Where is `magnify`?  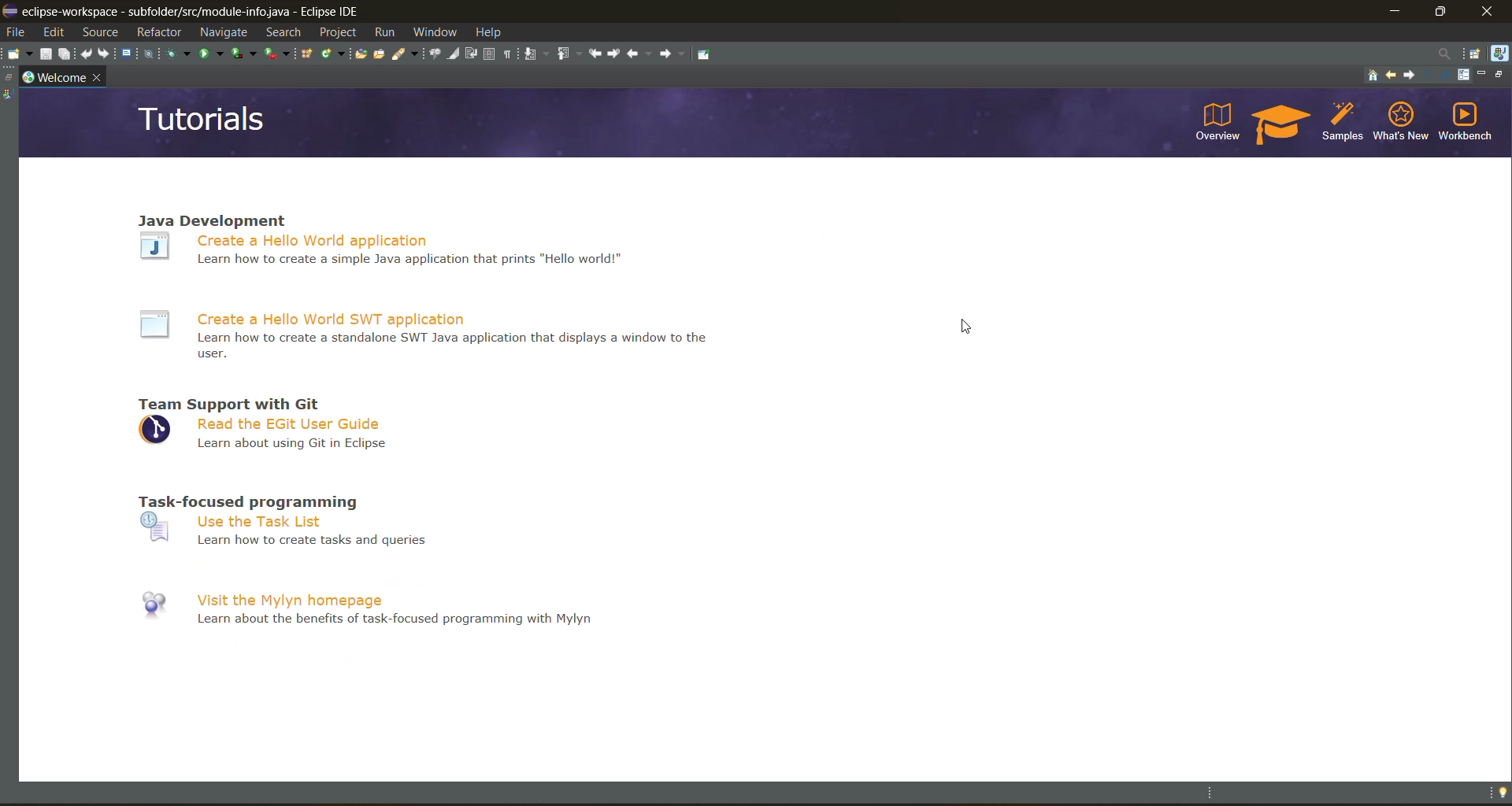
magnify is located at coordinates (1447, 76).